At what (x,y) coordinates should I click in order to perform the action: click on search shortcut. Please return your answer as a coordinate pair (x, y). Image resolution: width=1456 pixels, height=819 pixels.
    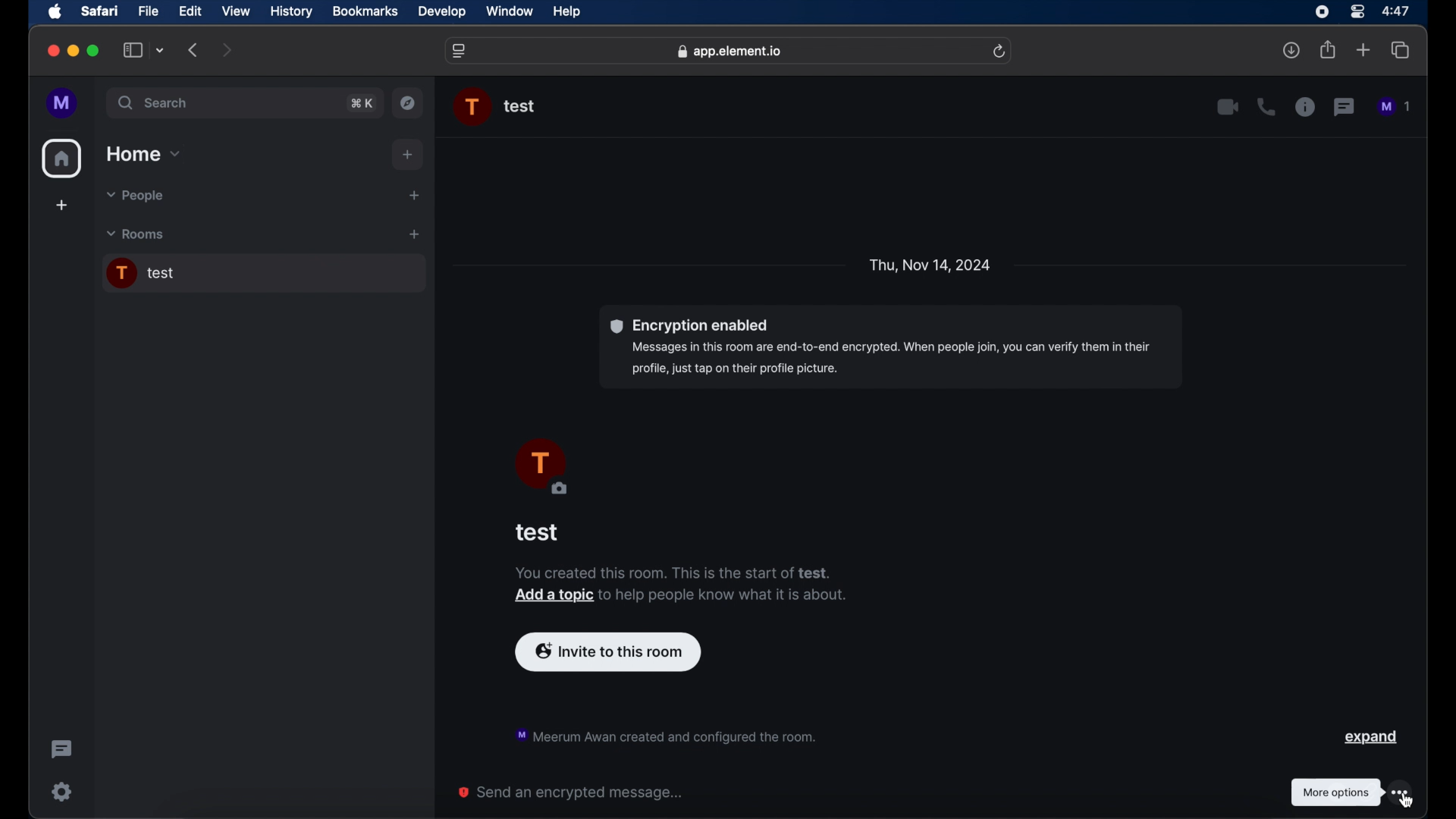
    Looking at the image, I should click on (361, 102).